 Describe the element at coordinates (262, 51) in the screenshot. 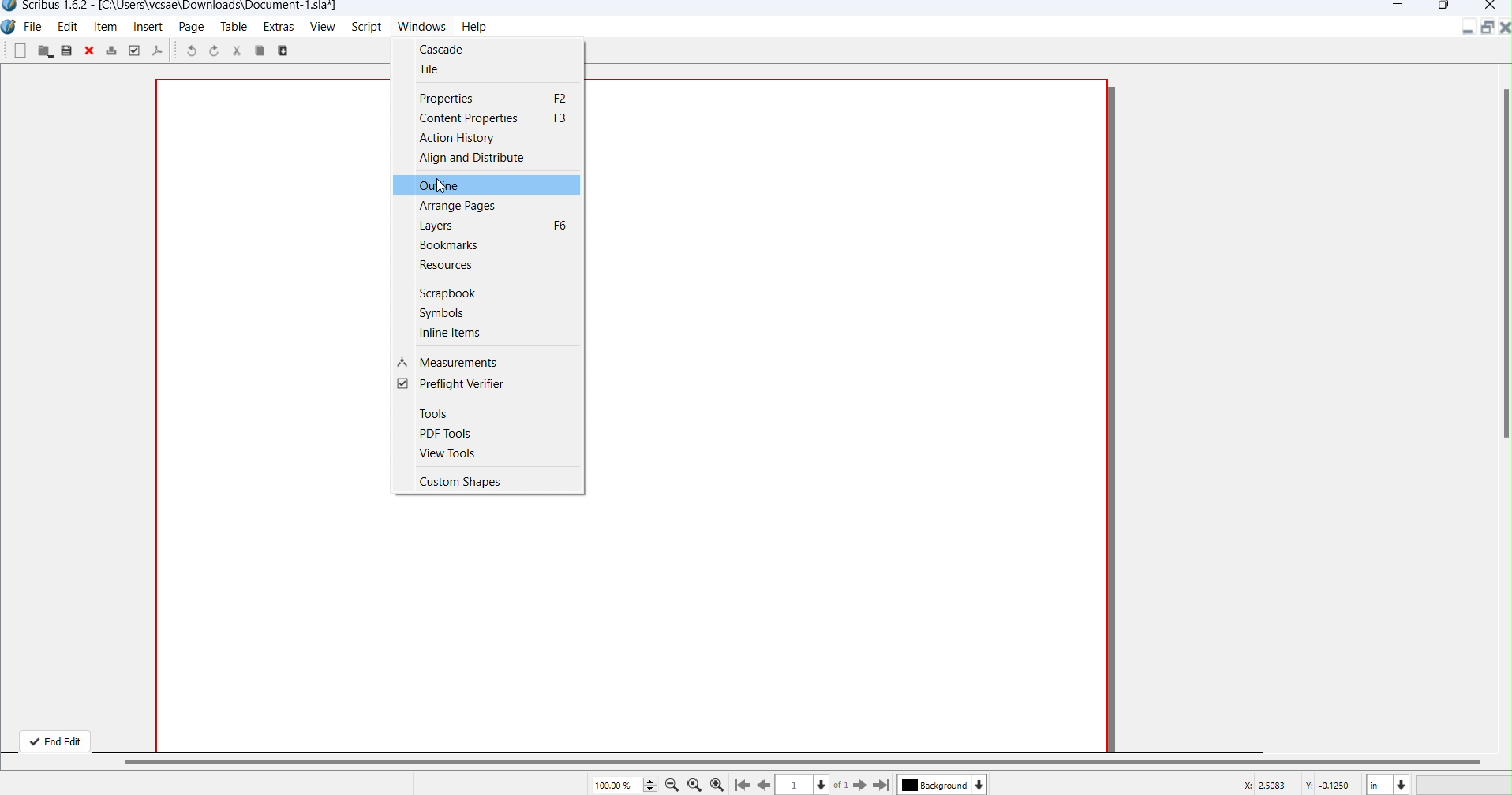

I see `` at that location.